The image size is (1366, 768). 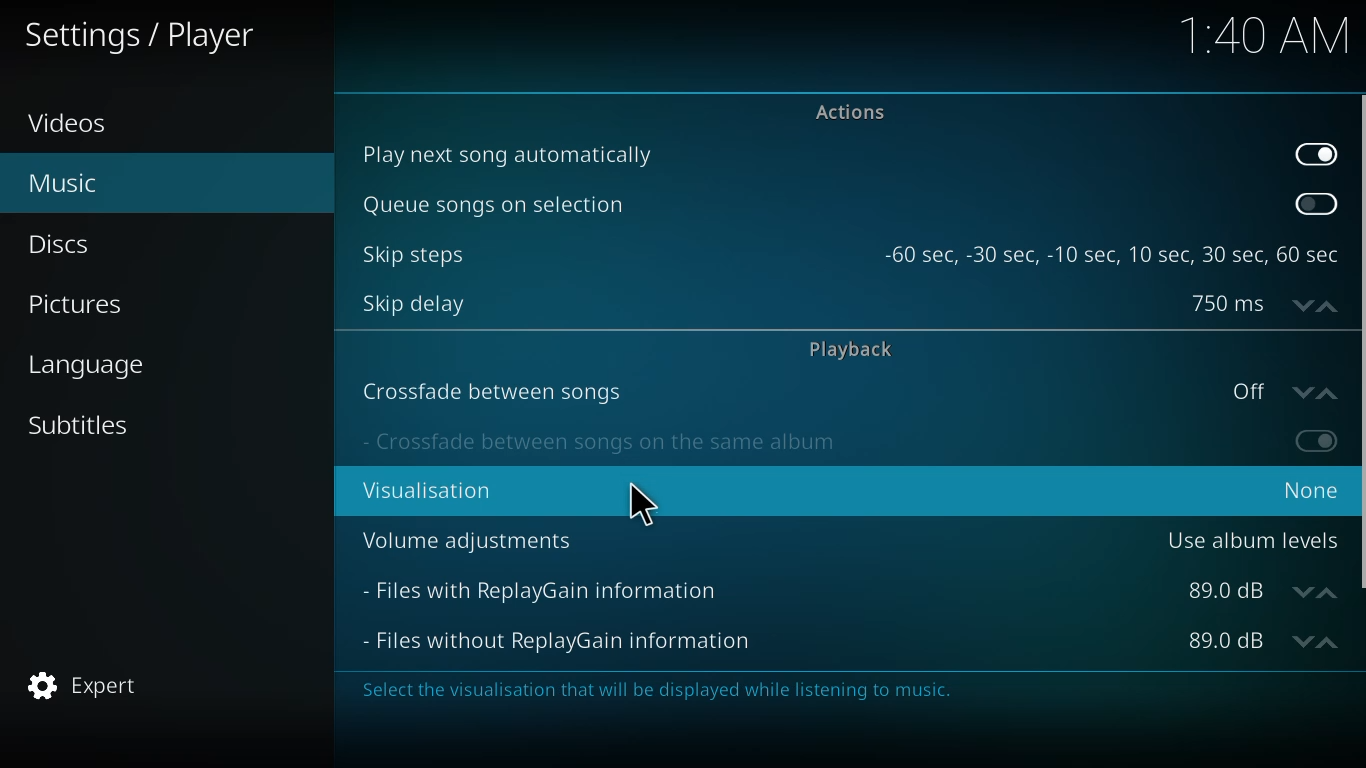 I want to click on visualisation, so click(x=440, y=492).